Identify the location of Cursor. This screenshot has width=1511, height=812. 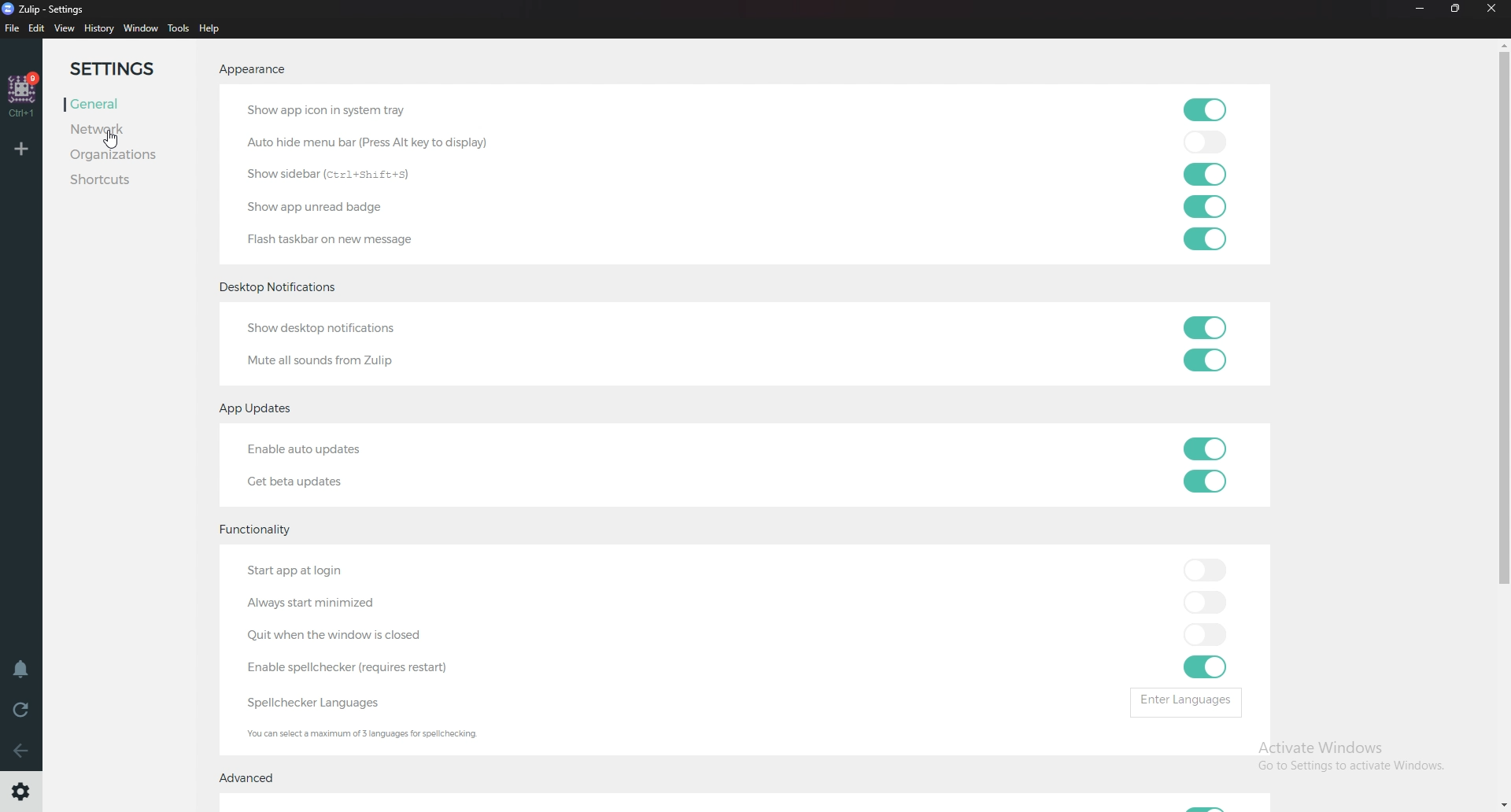
(107, 141).